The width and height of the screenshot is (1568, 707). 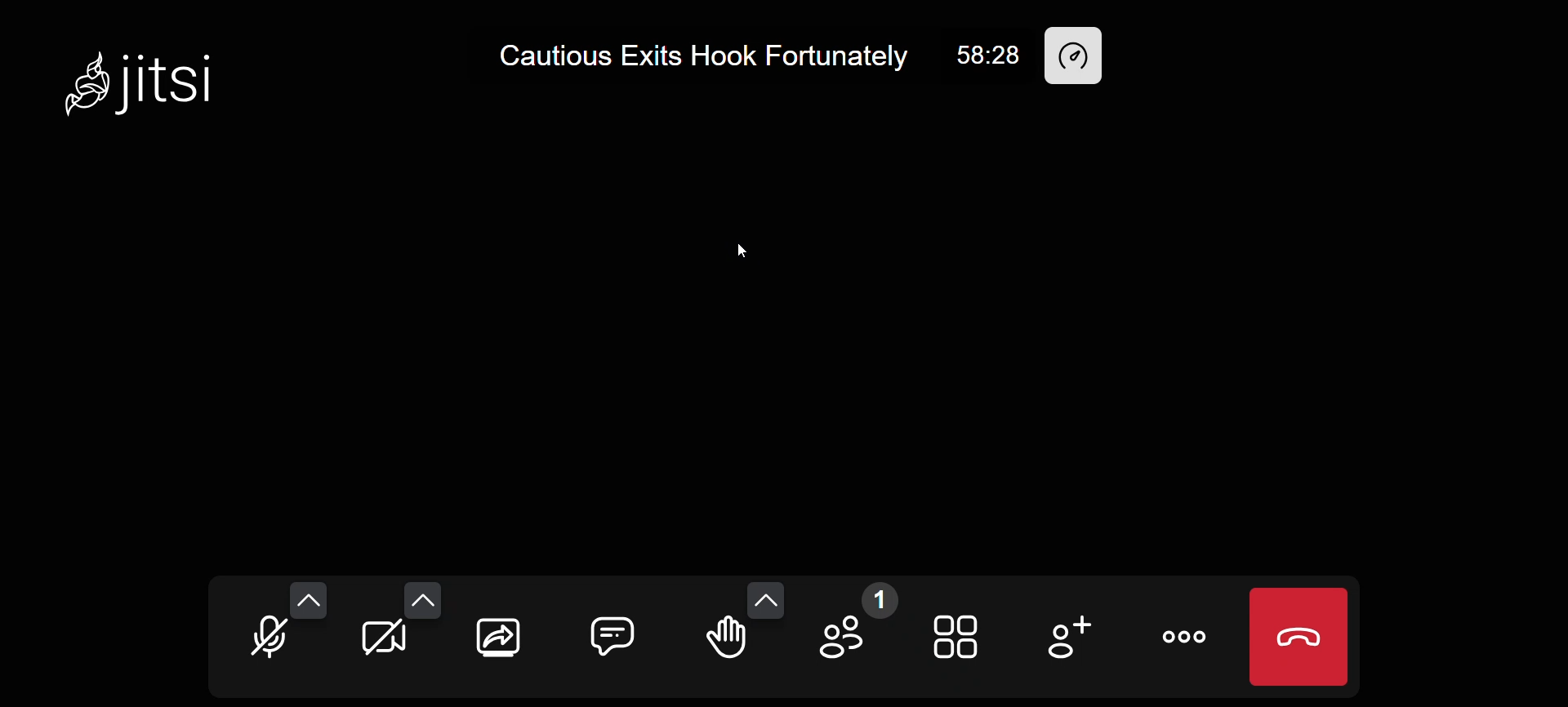 What do you see at coordinates (774, 599) in the screenshot?
I see `more emoji` at bounding box center [774, 599].